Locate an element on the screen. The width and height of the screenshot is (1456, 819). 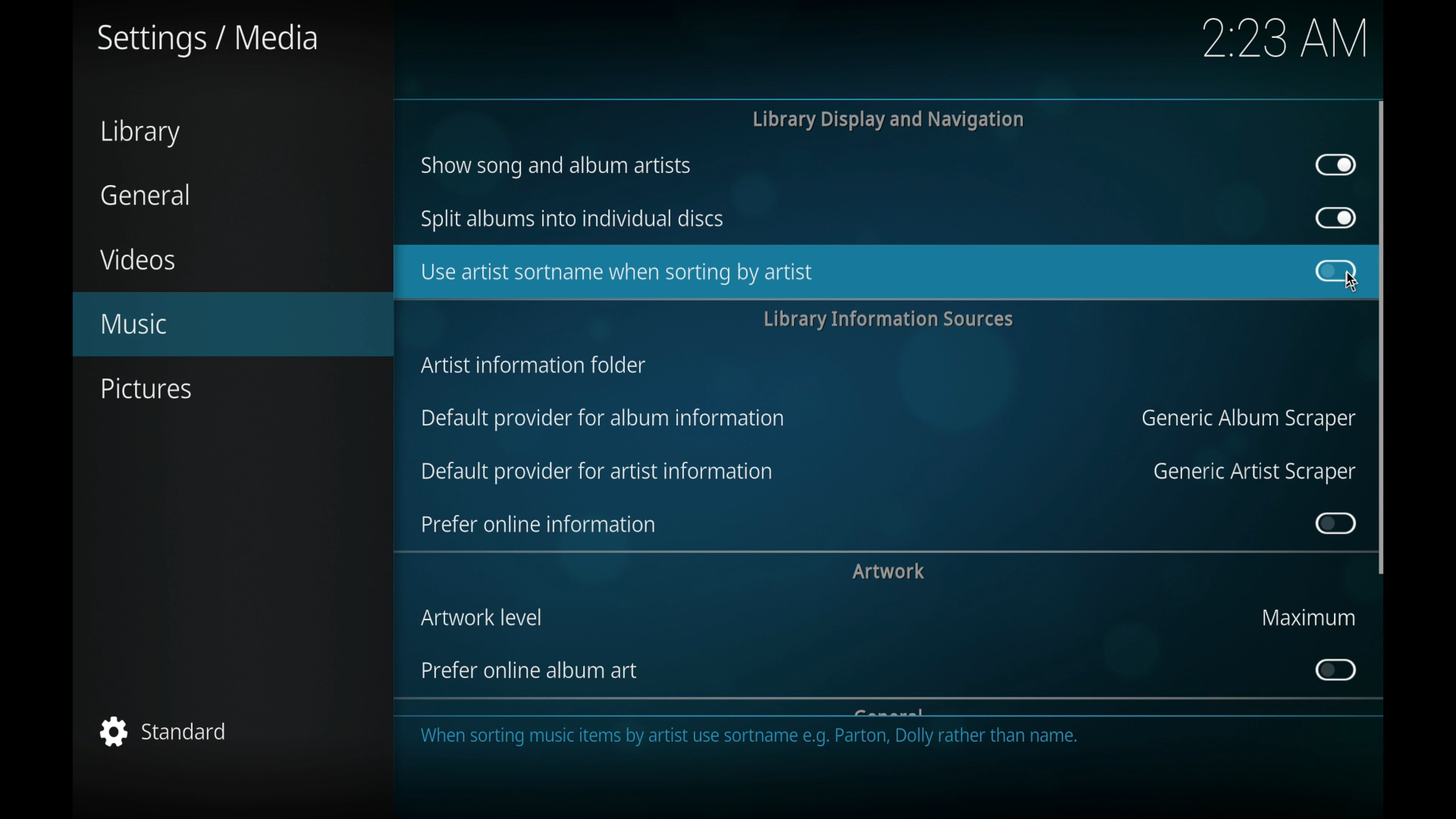
general is located at coordinates (143, 194).